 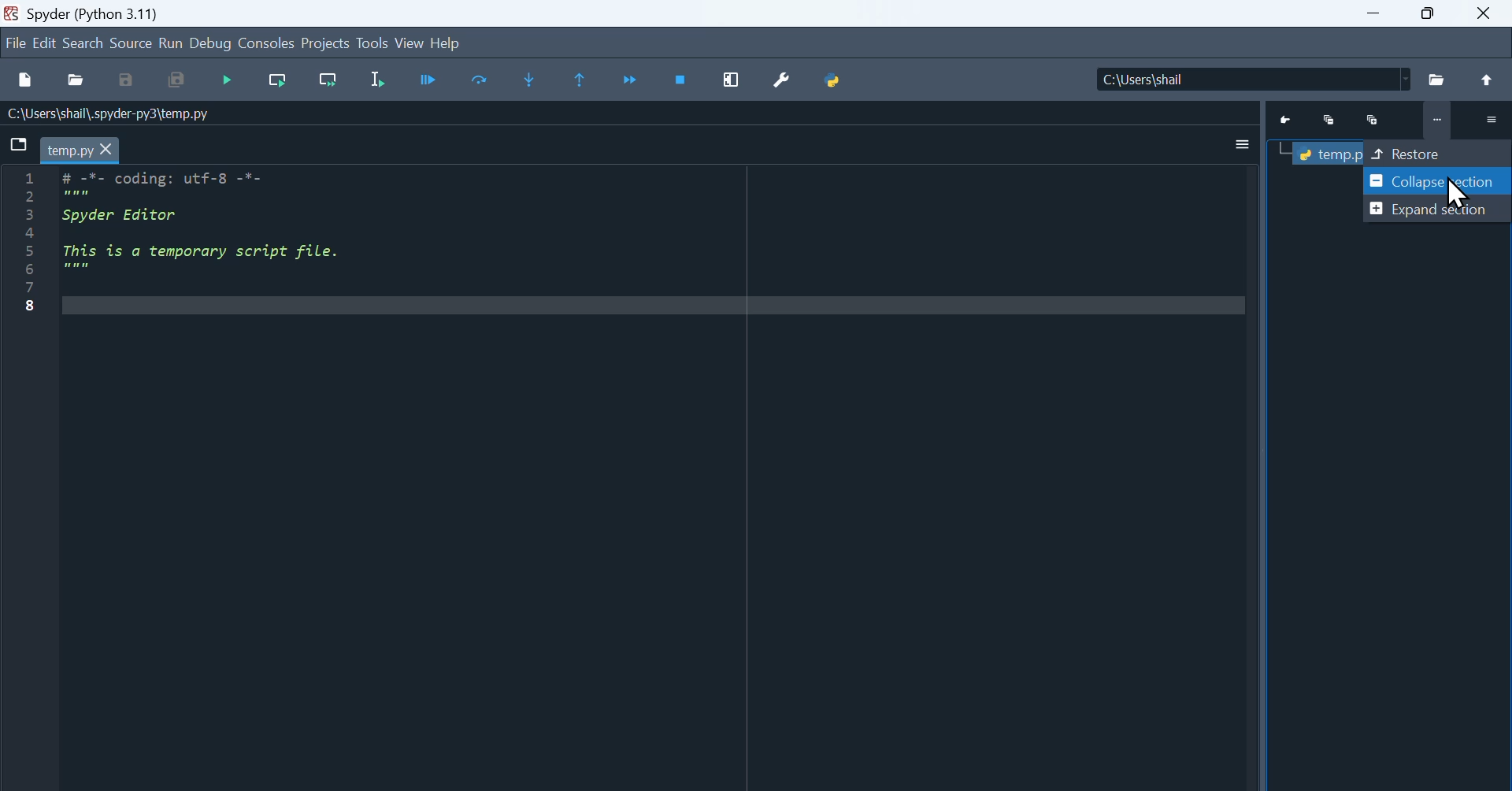 I want to click on Run current cell, so click(x=278, y=81).